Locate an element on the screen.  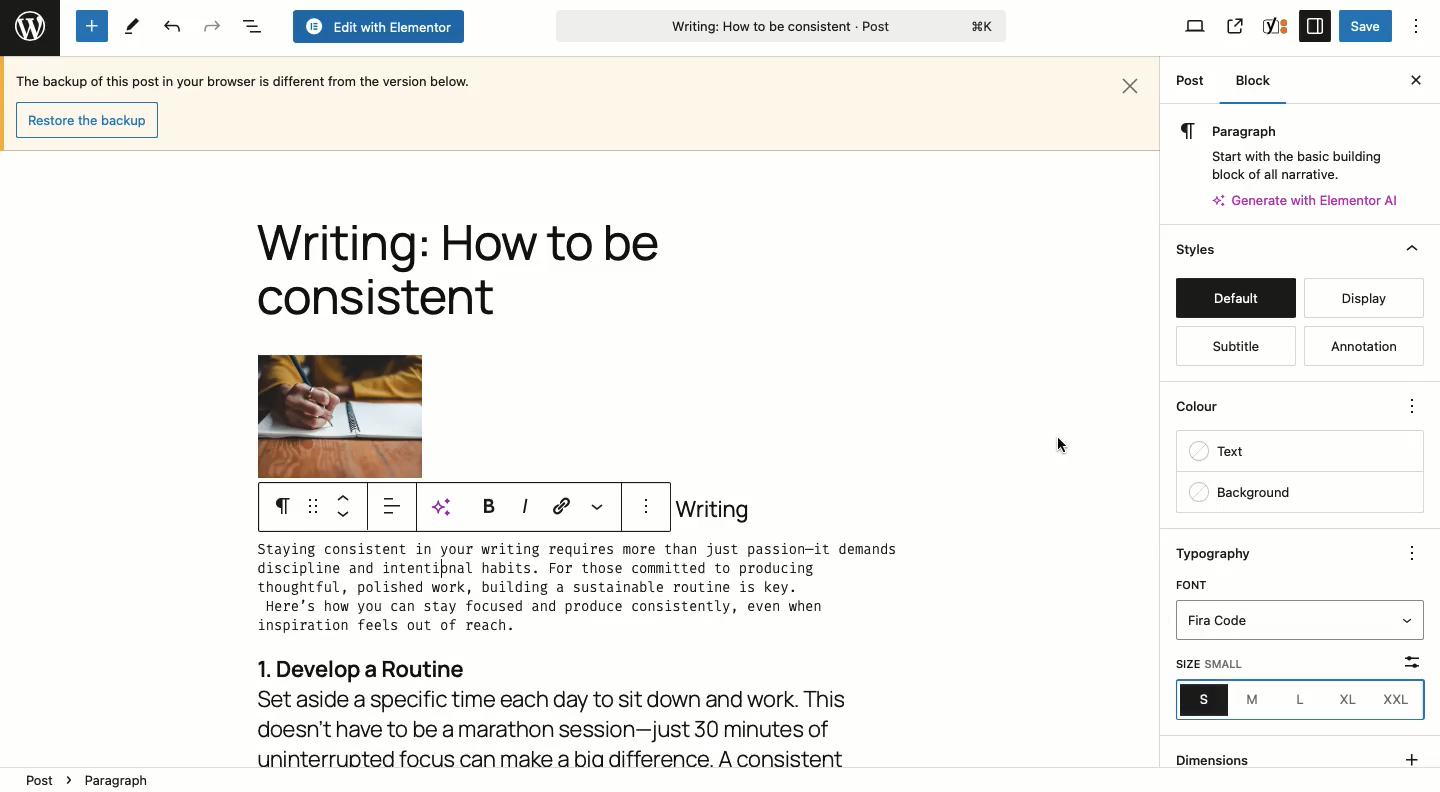
Cursor is located at coordinates (1060, 443).